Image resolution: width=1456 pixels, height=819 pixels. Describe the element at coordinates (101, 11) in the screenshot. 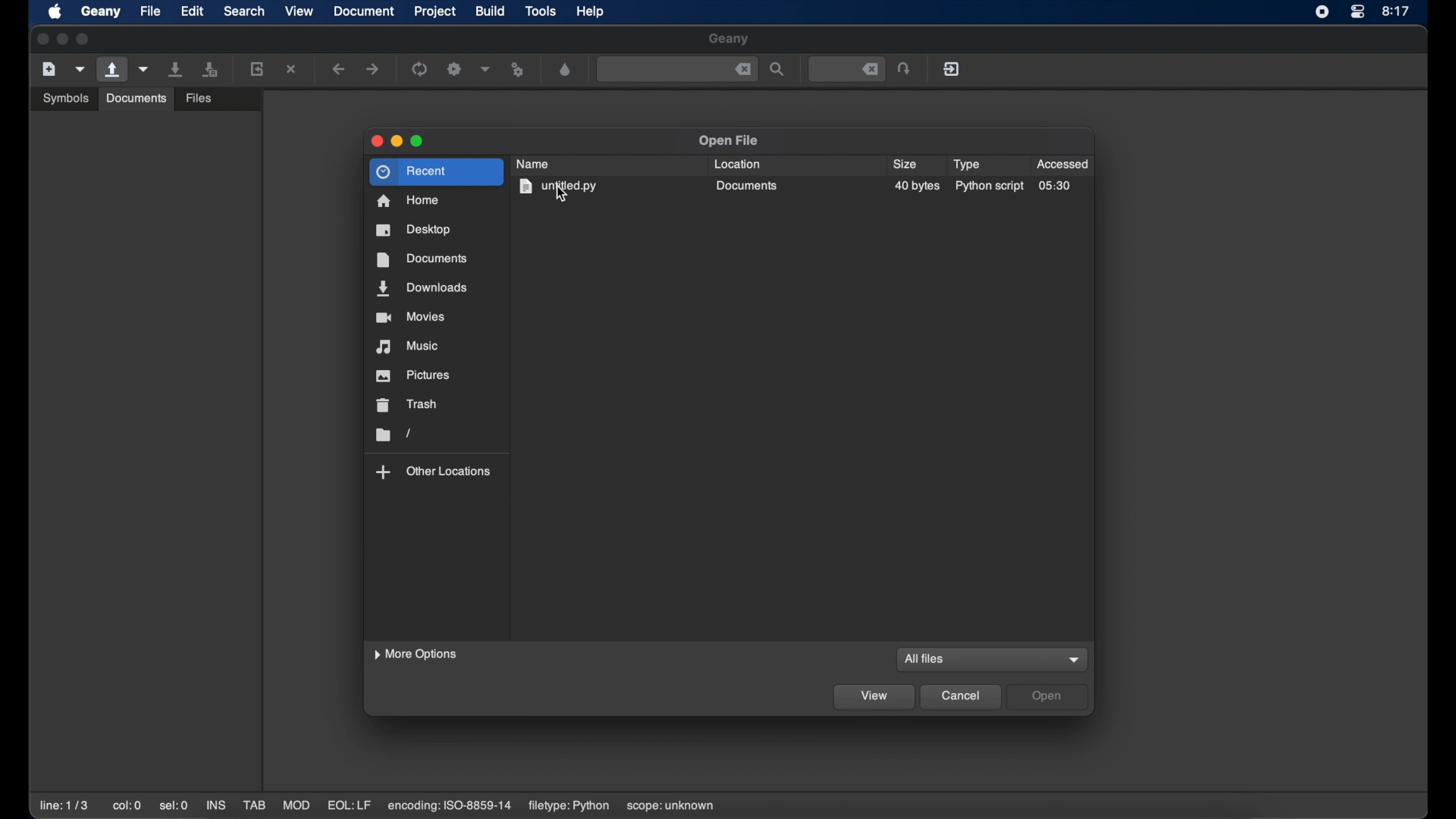

I see `geany` at that location.